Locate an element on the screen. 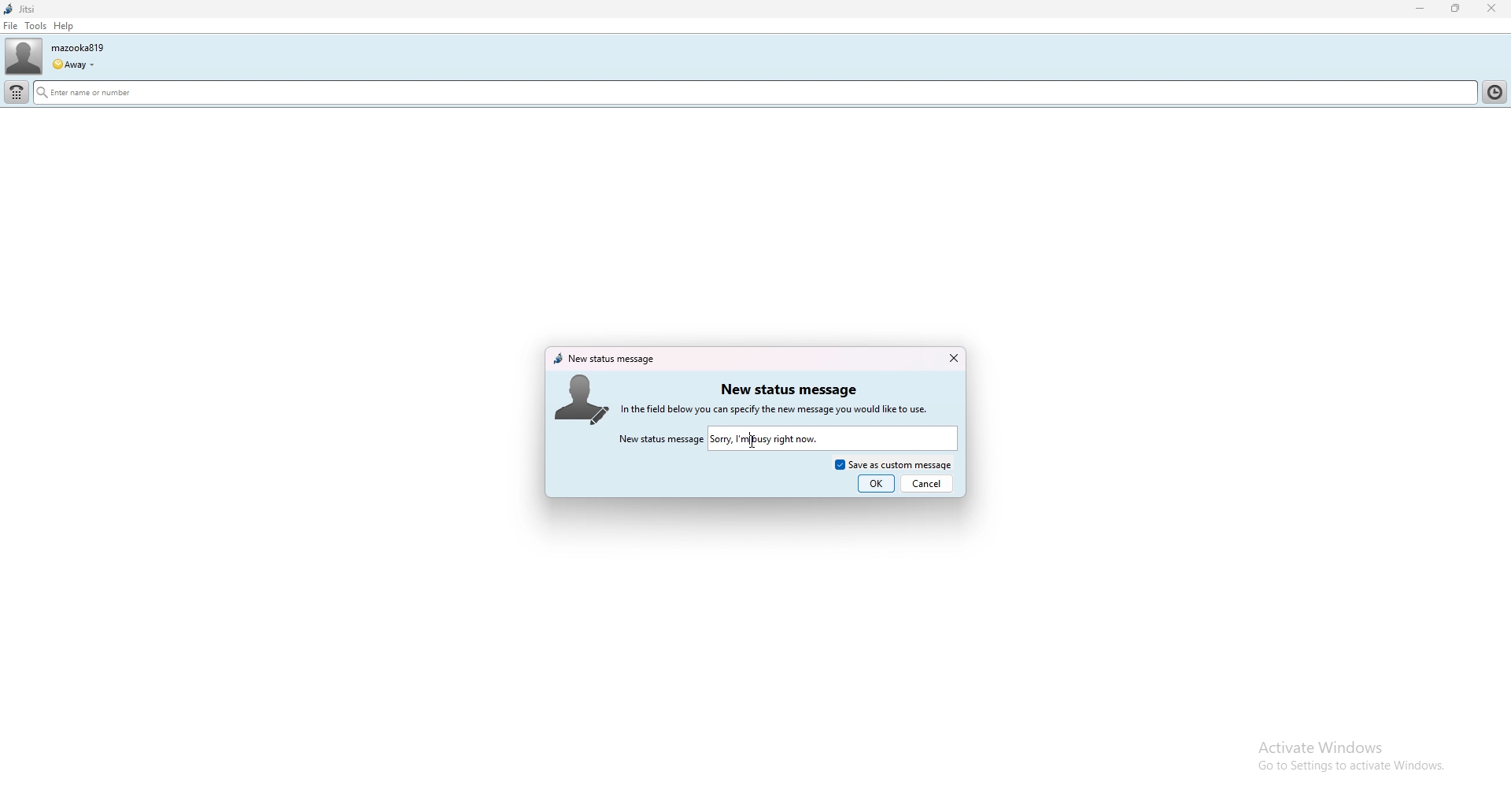 The width and height of the screenshot is (1511, 812). cursor is located at coordinates (753, 441).